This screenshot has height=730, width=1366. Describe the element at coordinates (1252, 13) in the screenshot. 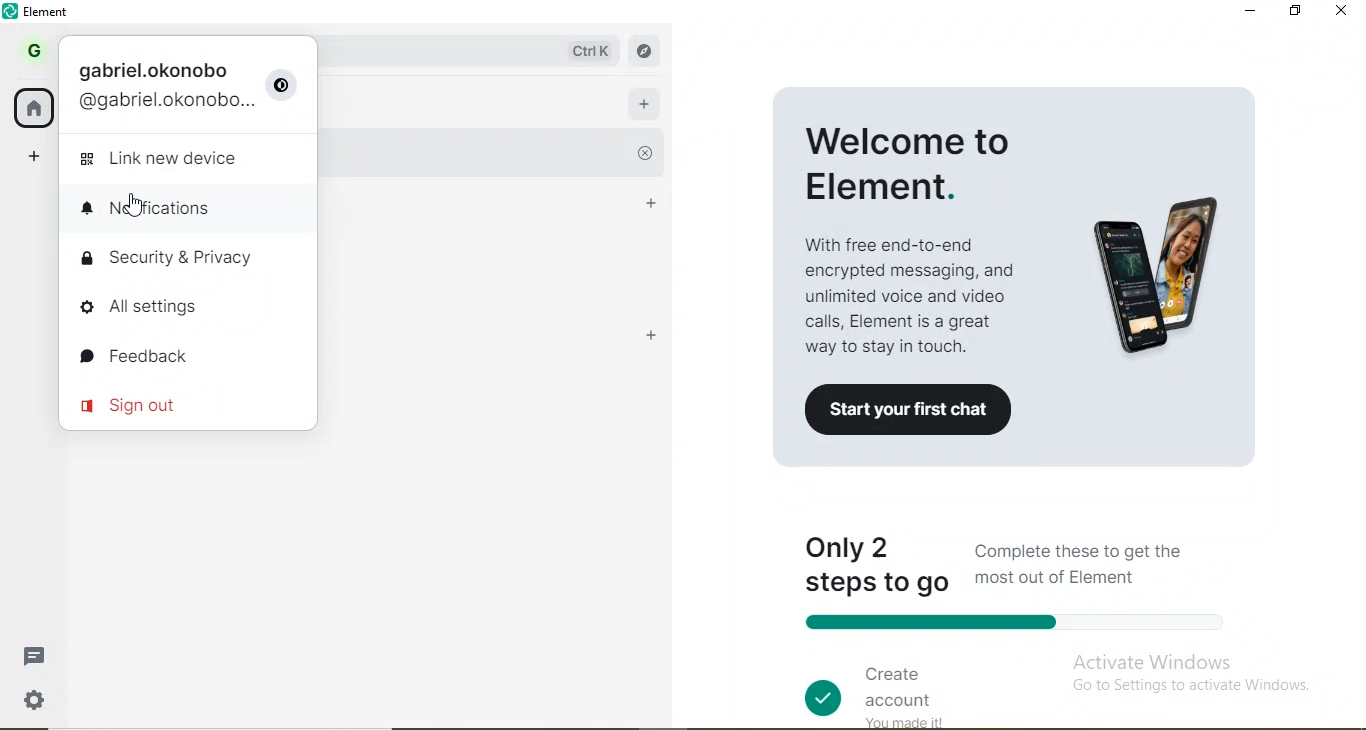

I see `minimise` at that location.